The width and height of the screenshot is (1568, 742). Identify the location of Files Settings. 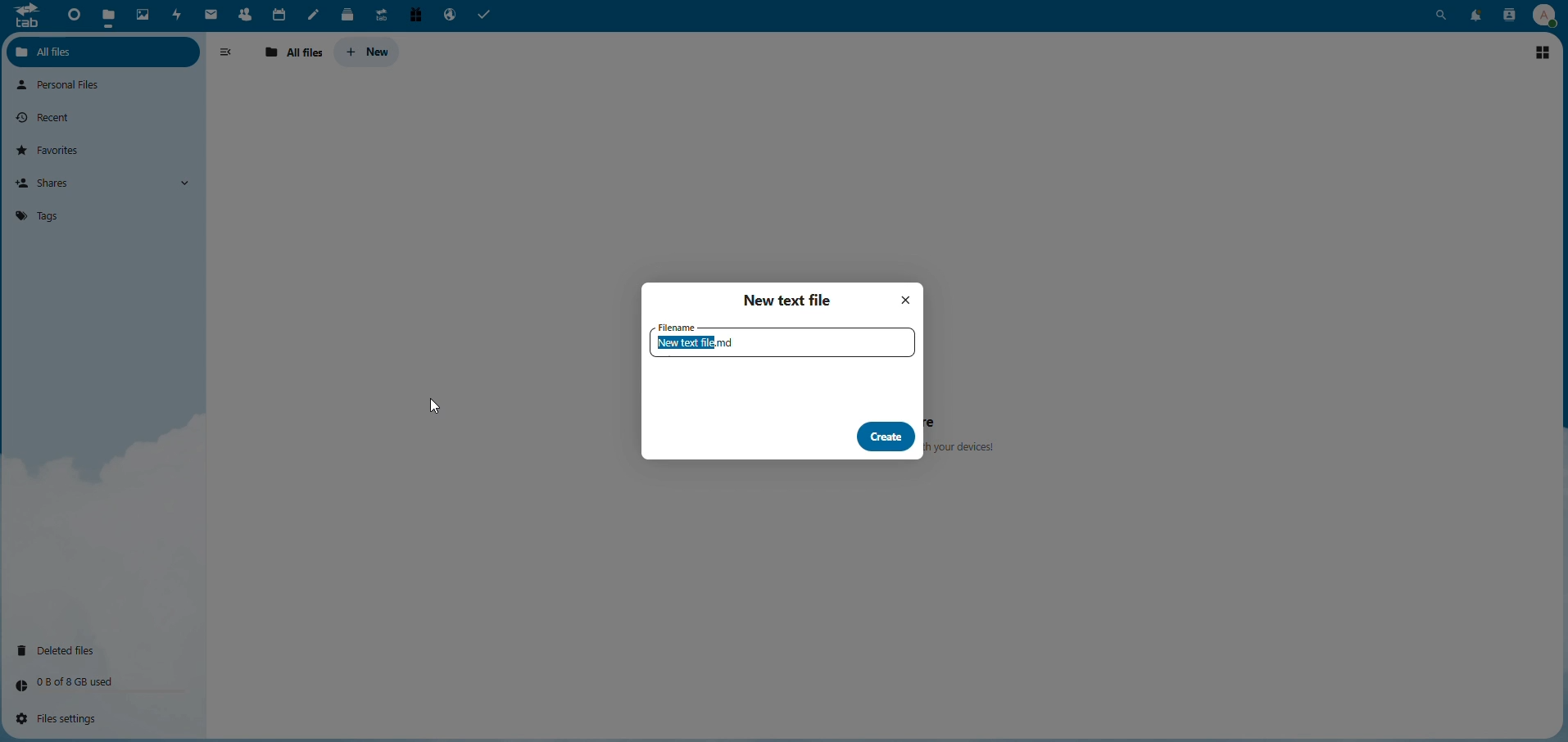
(66, 719).